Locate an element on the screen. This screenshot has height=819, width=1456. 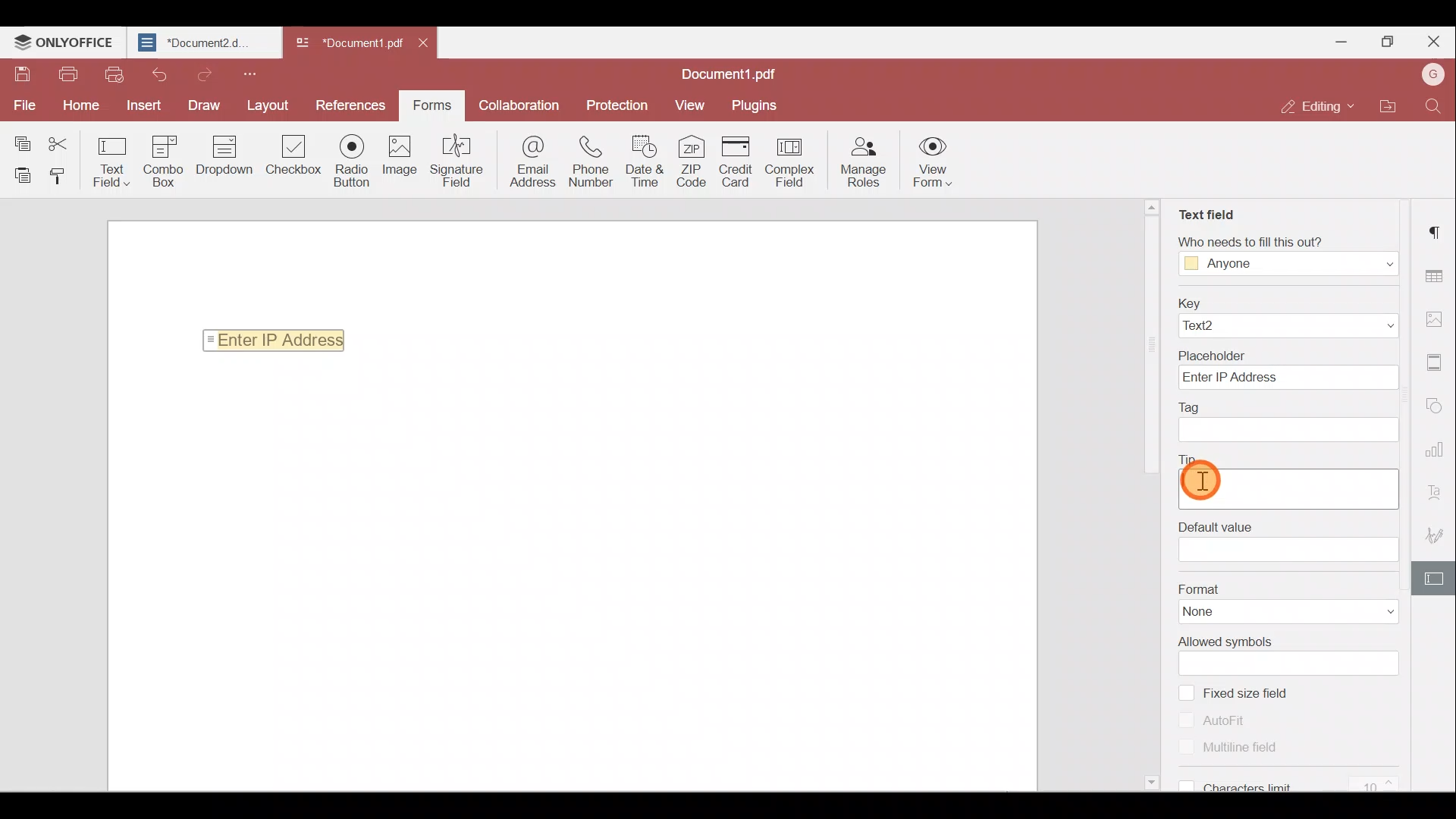
Close is located at coordinates (1434, 39).